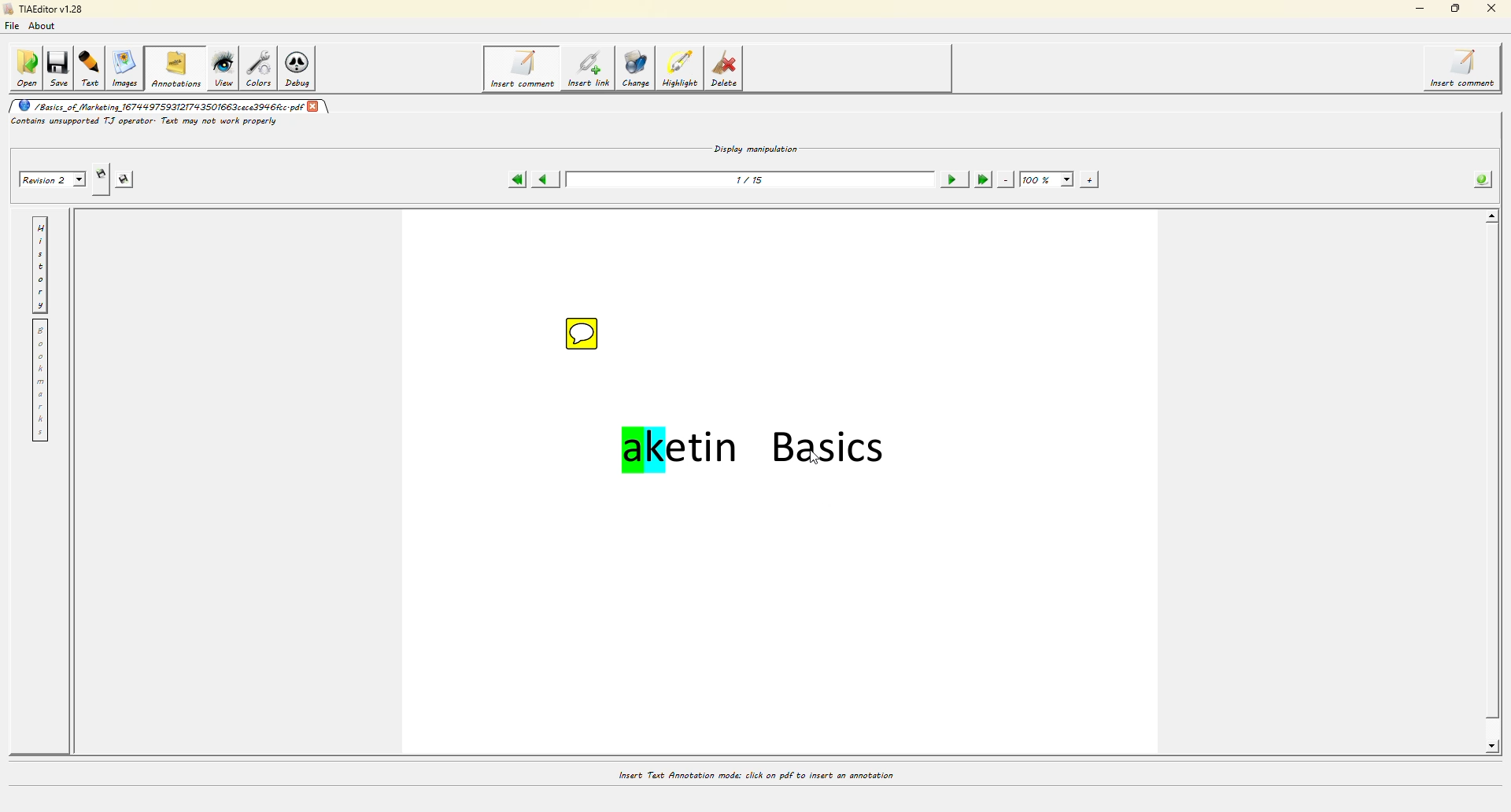 The width and height of the screenshot is (1511, 812). I want to click on zoom in, so click(1089, 179).